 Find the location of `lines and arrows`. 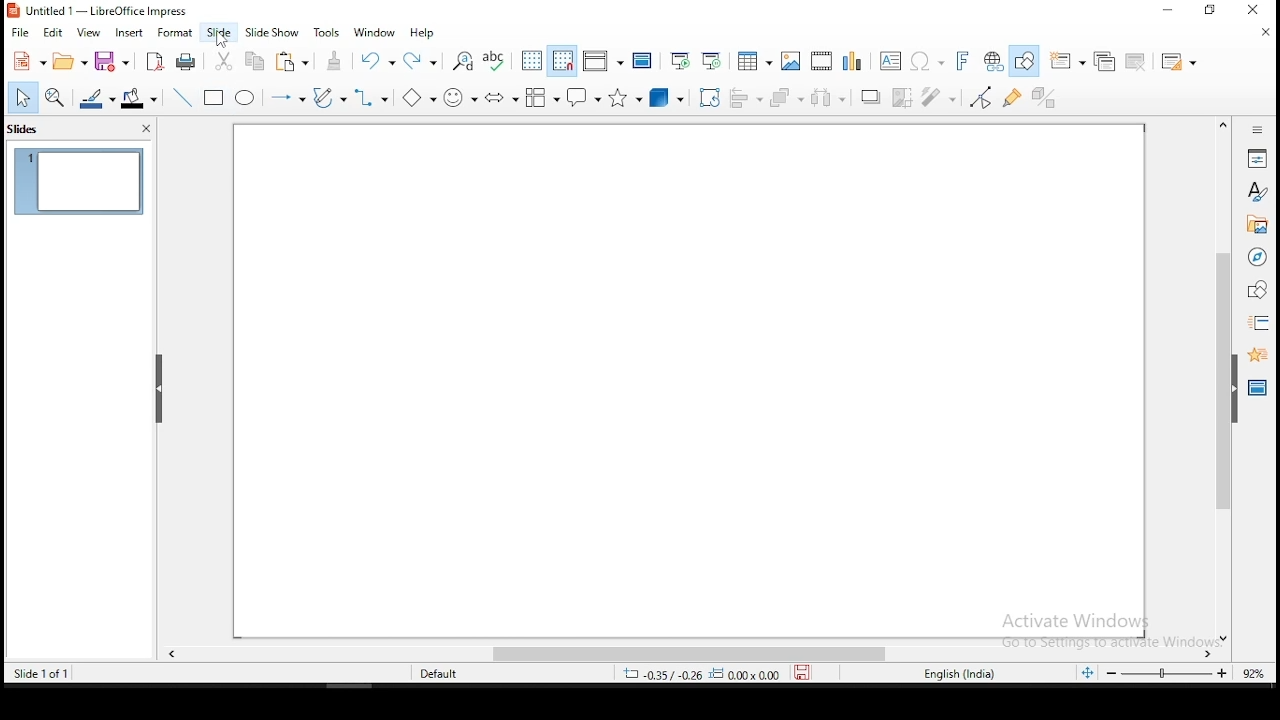

lines and arrows is located at coordinates (287, 97).